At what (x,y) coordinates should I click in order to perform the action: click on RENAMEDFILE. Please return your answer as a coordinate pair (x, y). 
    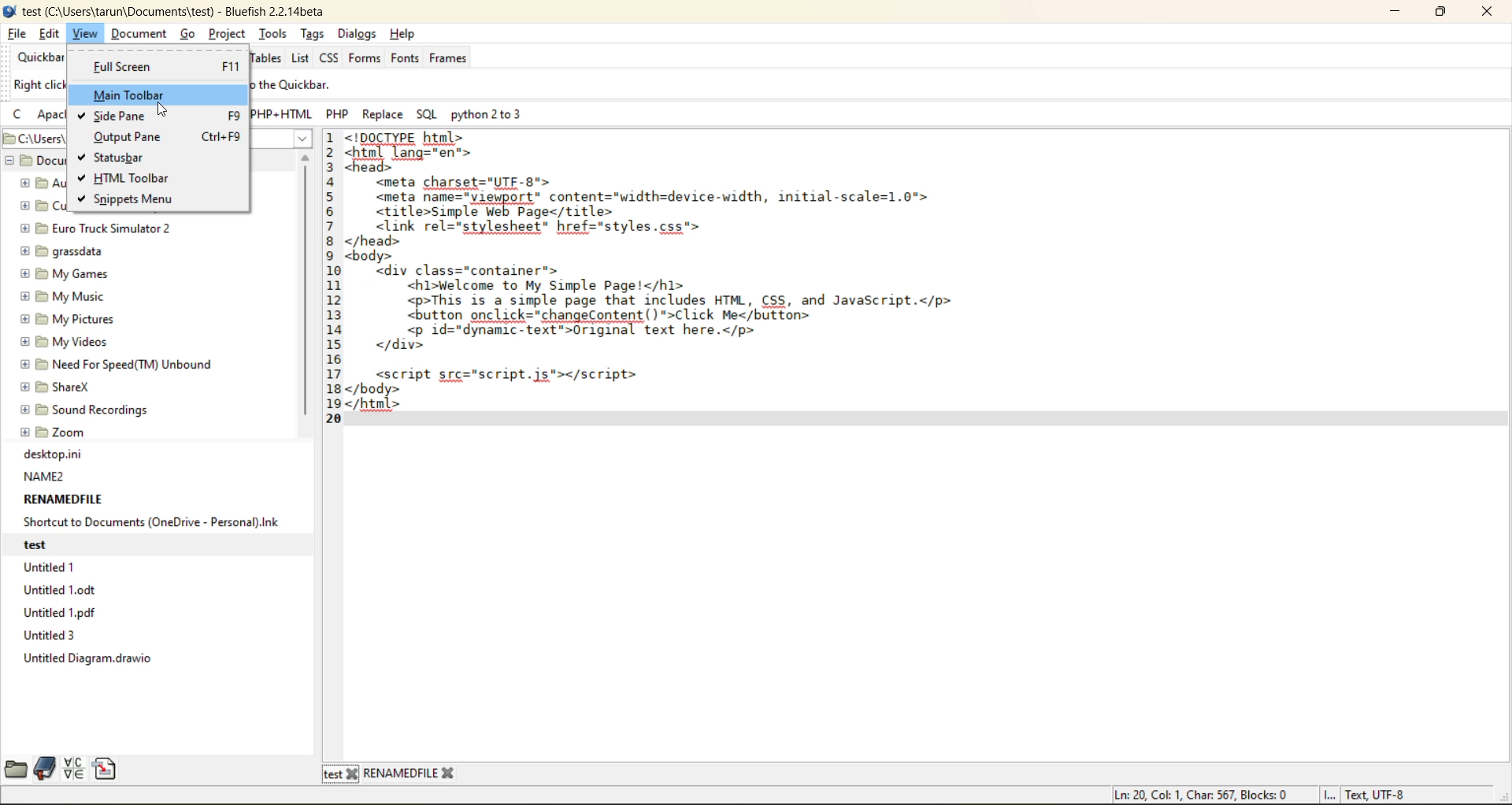
    Looking at the image, I should click on (65, 500).